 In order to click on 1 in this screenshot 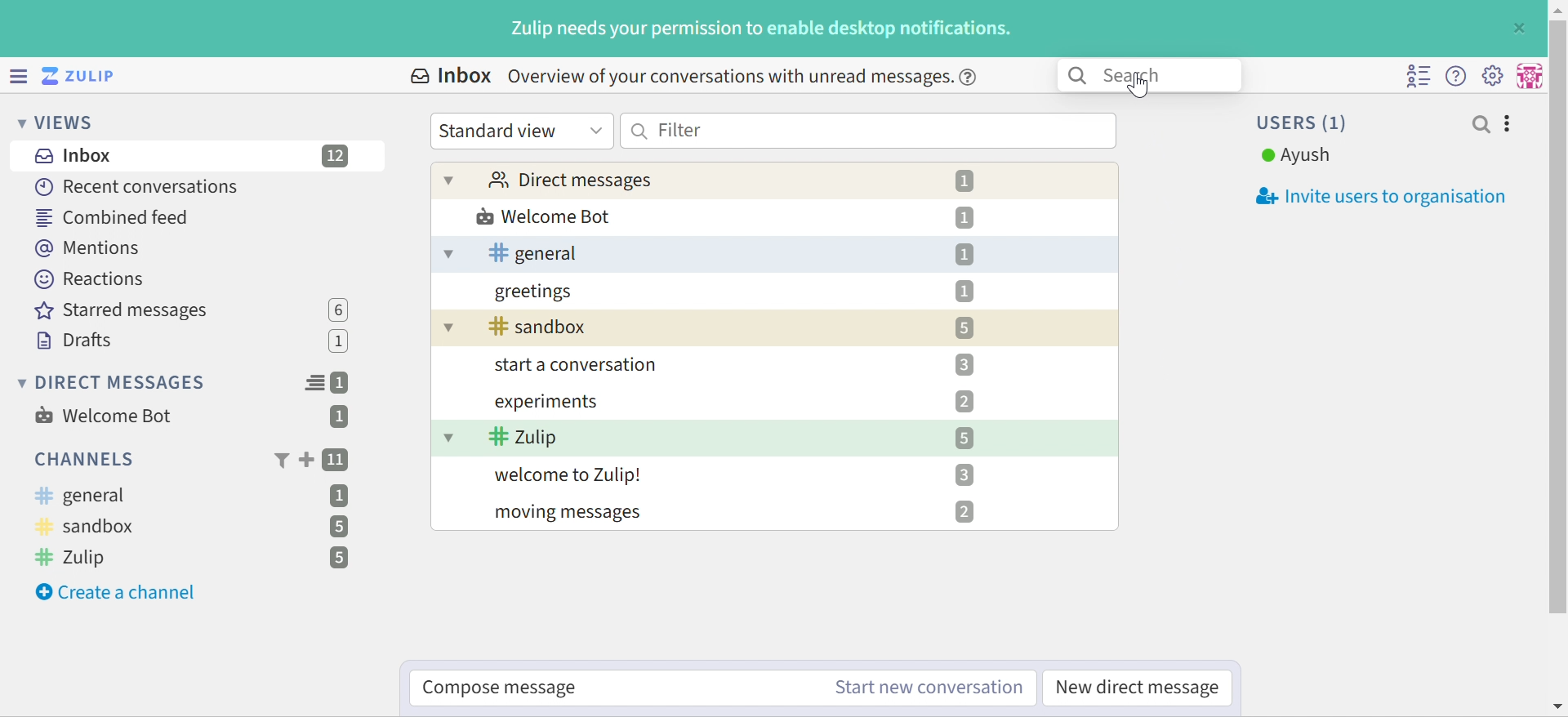, I will do `click(965, 254)`.